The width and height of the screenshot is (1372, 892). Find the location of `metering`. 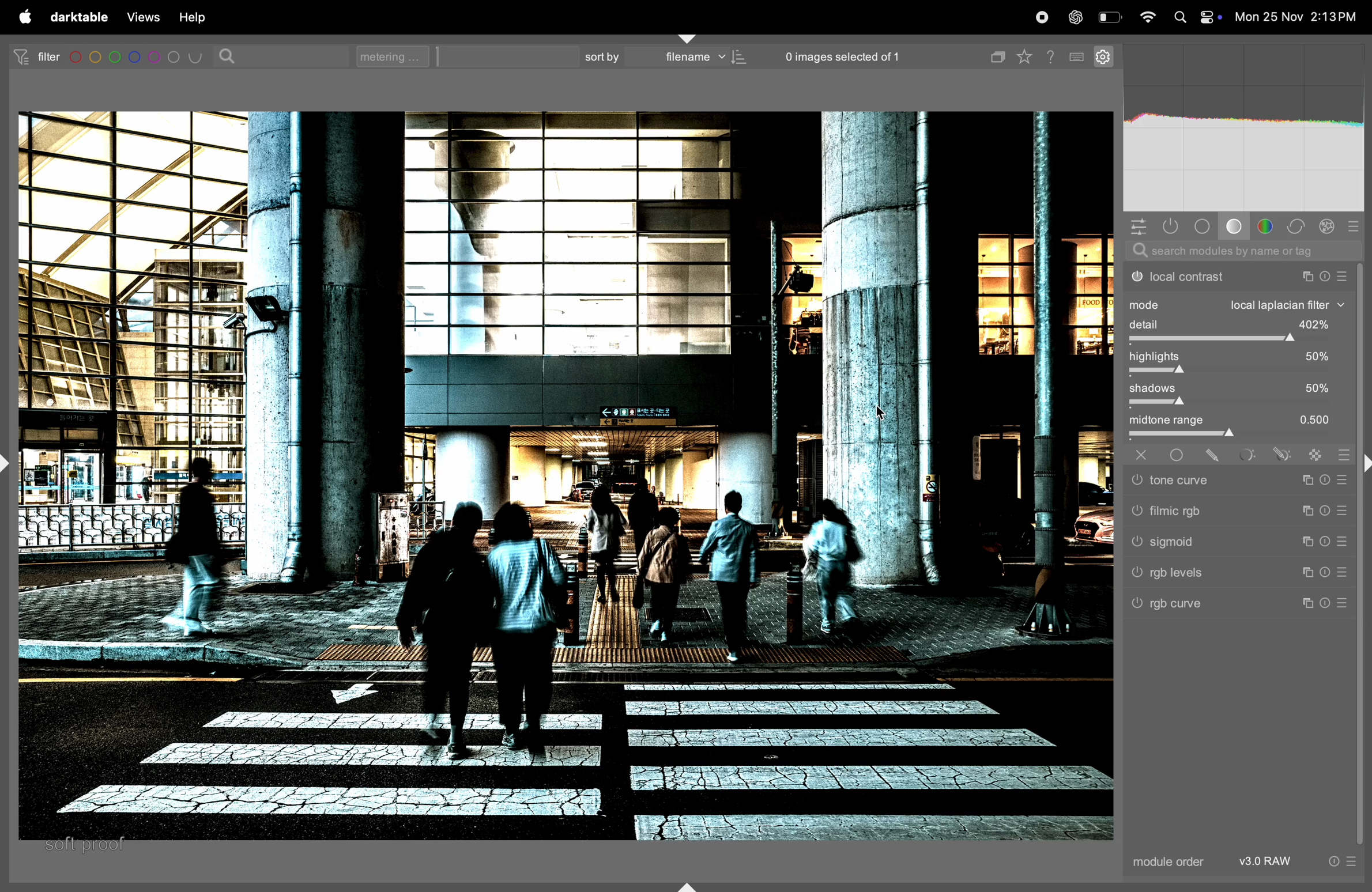

metering is located at coordinates (397, 56).